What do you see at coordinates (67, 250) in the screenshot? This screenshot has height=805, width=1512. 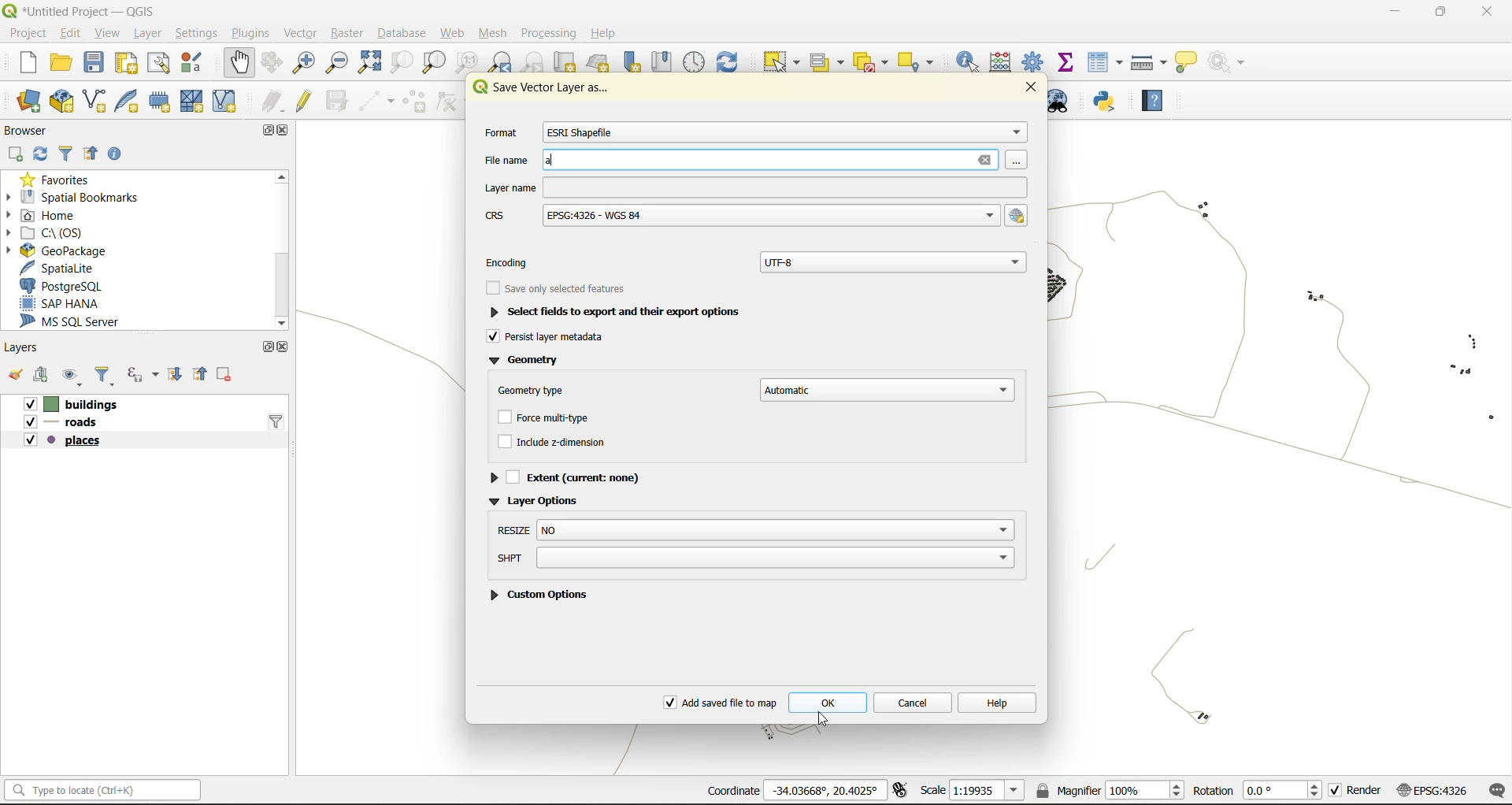 I see `geopackage` at bounding box center [67, 250].